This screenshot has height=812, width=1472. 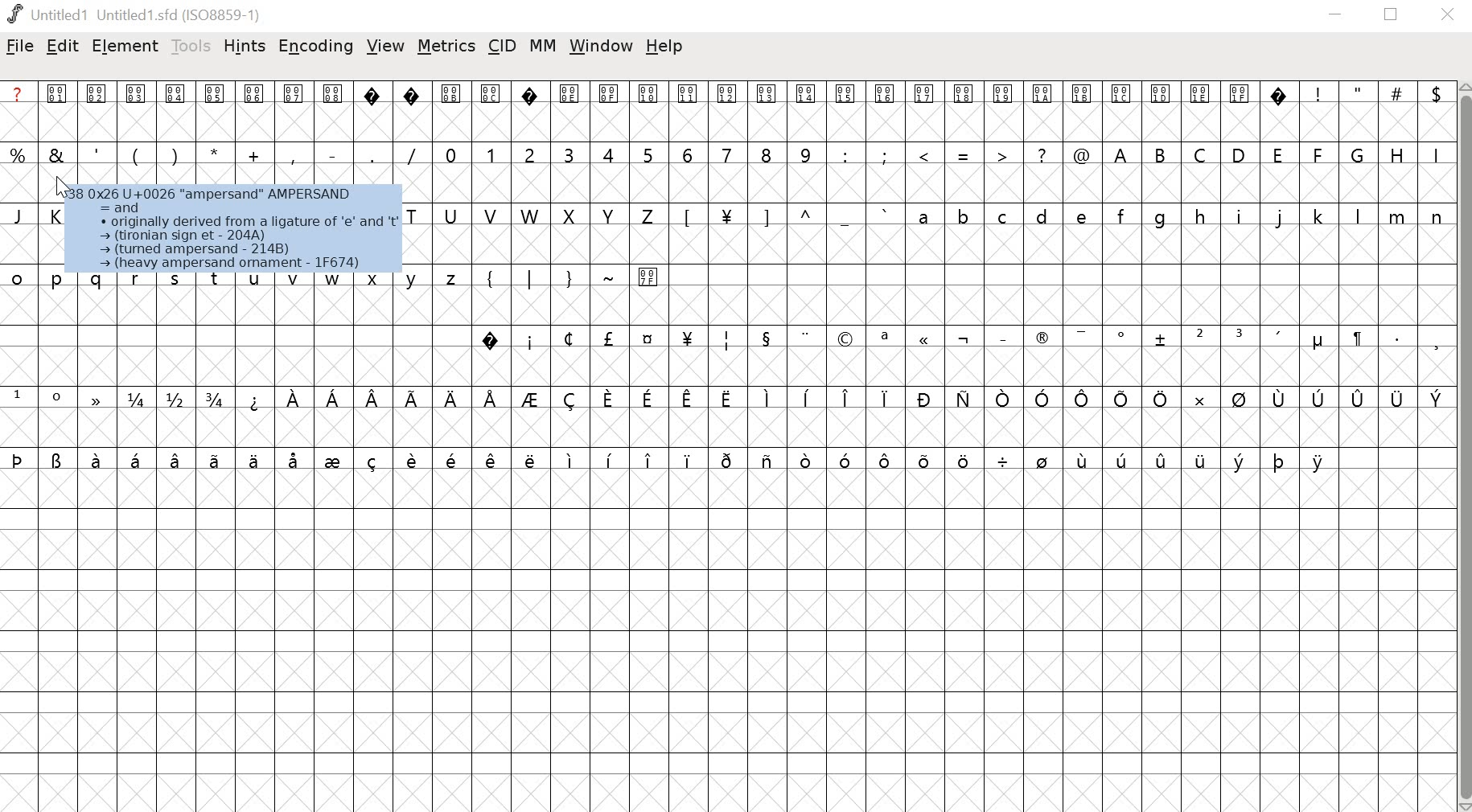 What do you see at coordinates (57, 154) in the screenshot?
I see `&` at bounding box center [57, 154].